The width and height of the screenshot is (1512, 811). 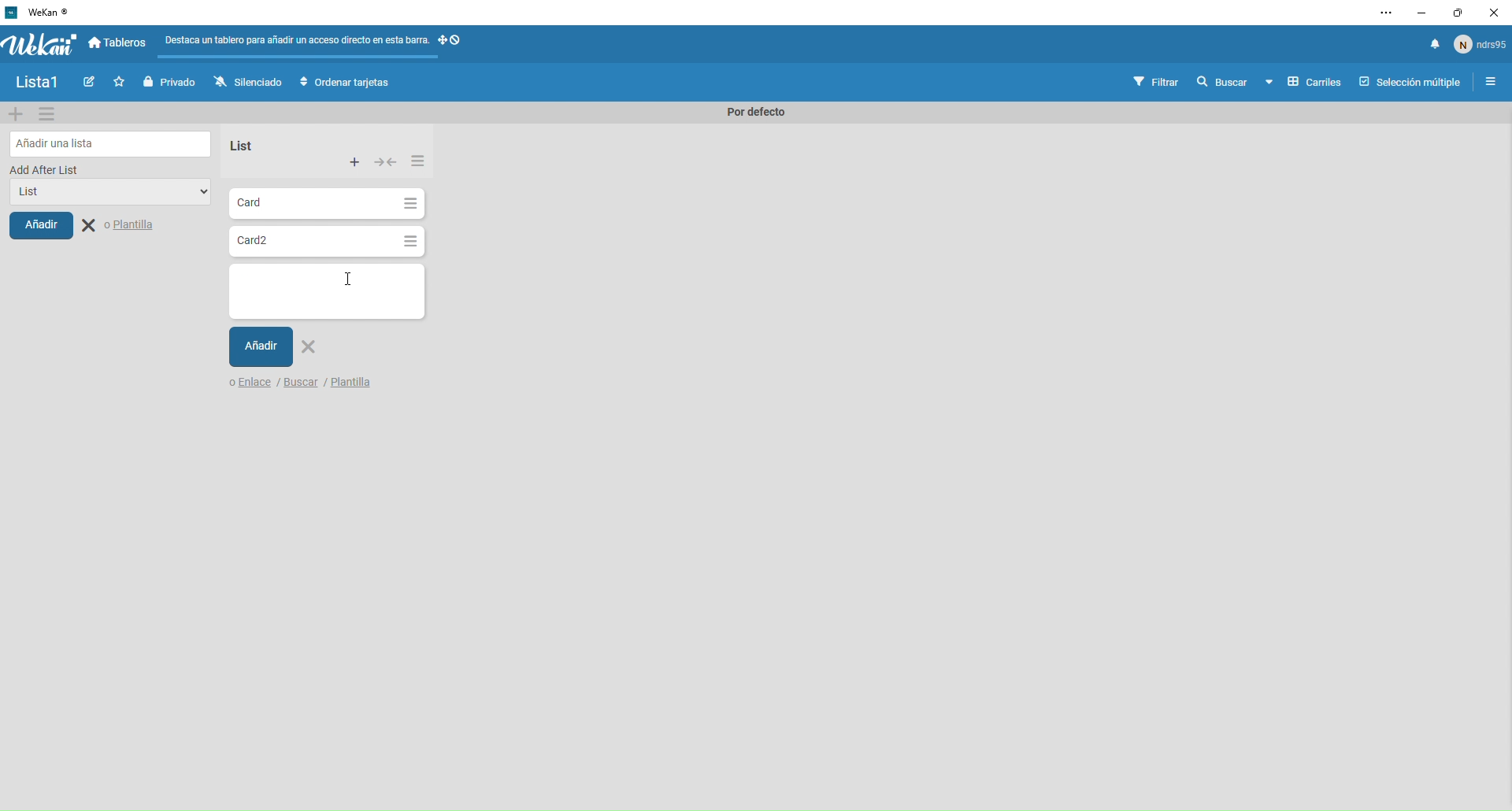 I want to click on Add a list, so click(x=112, y=143).